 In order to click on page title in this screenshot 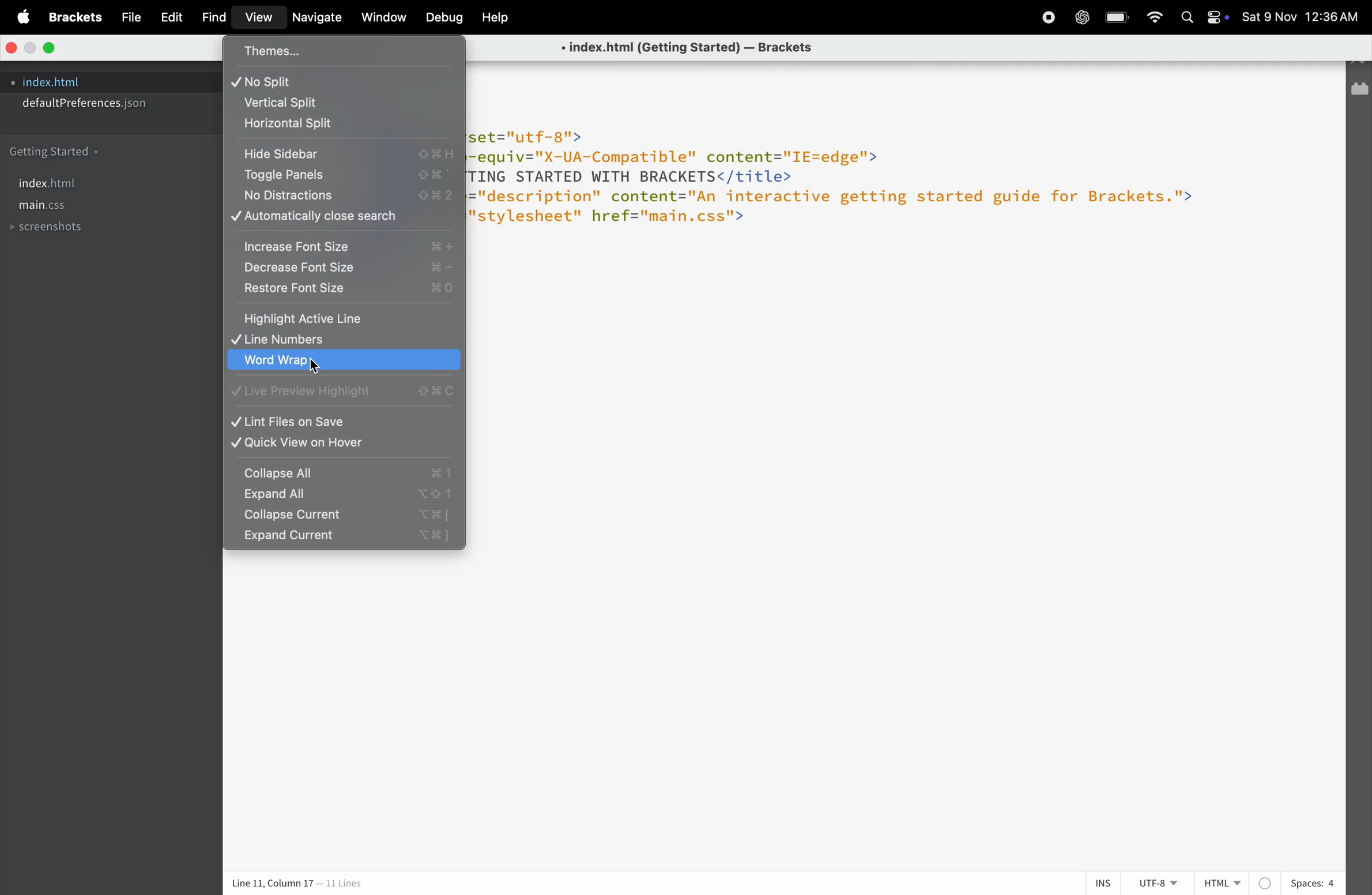, I will do `click(681, 48)`.